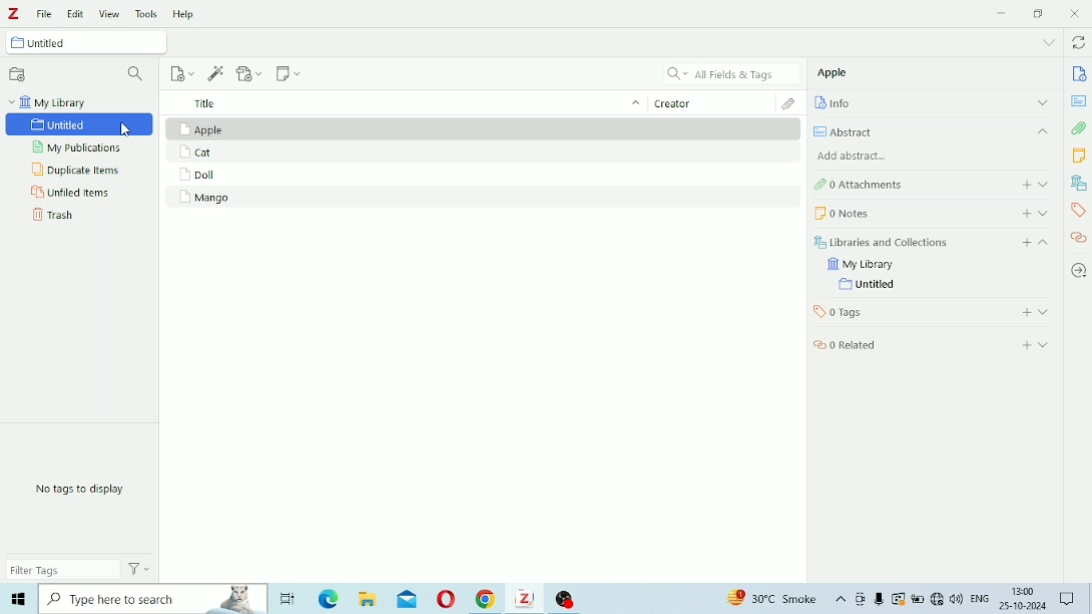  I want to click on Unfiled Items, so click(70, 192).